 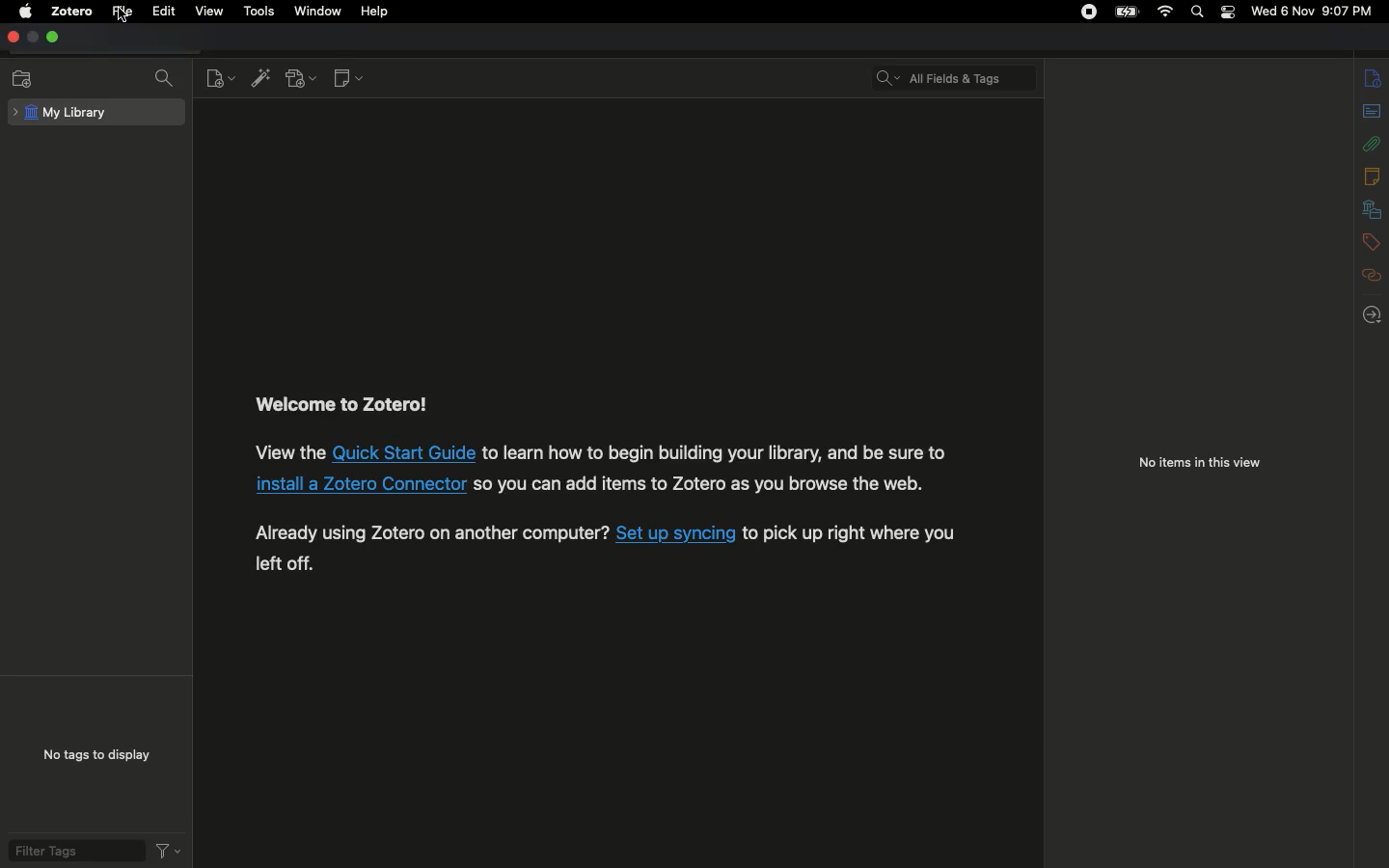 I want to click on Filter collections, so click(x=169, y=81).